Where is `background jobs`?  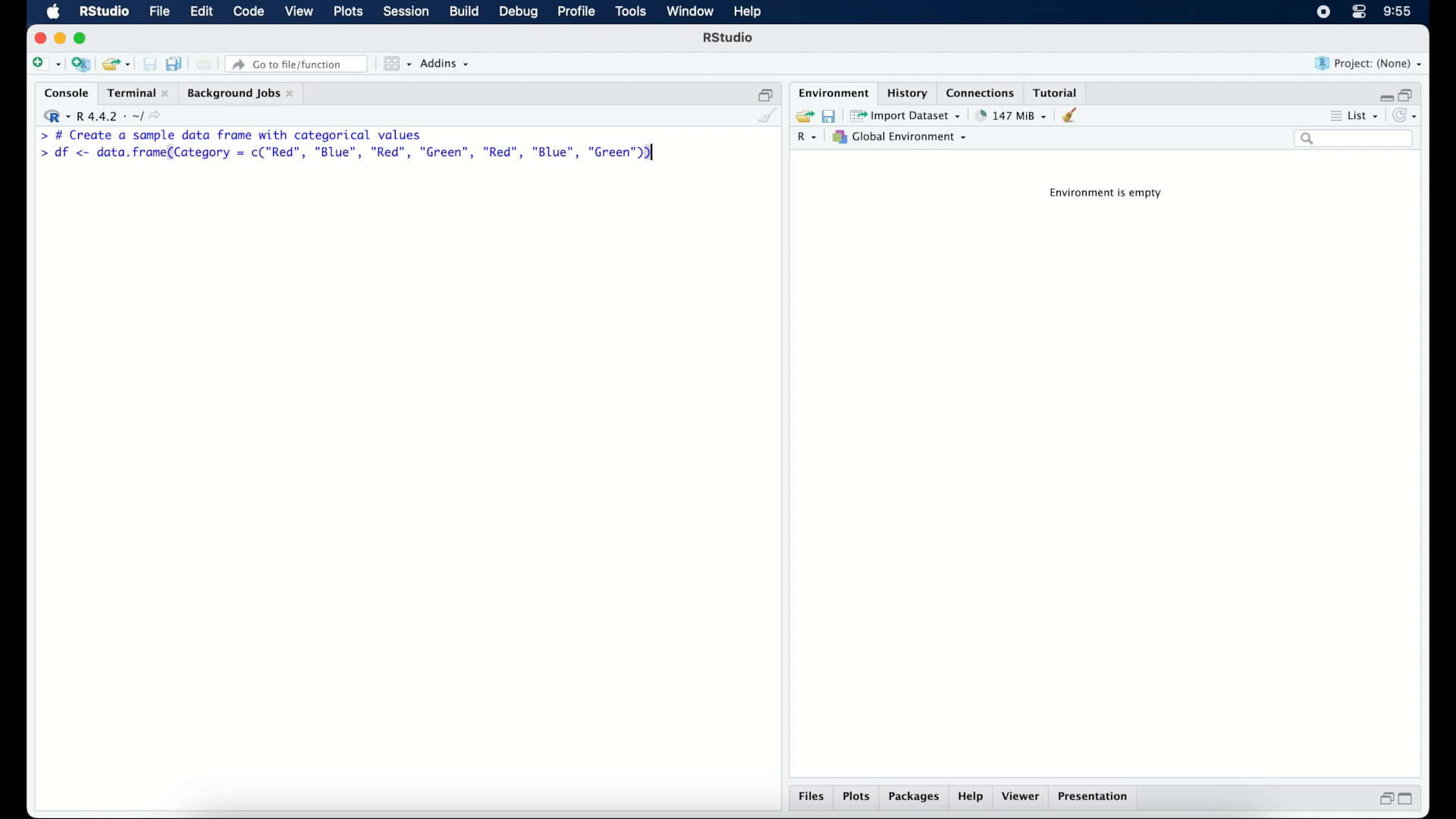 background jobs is located at coordinates (243, 93).